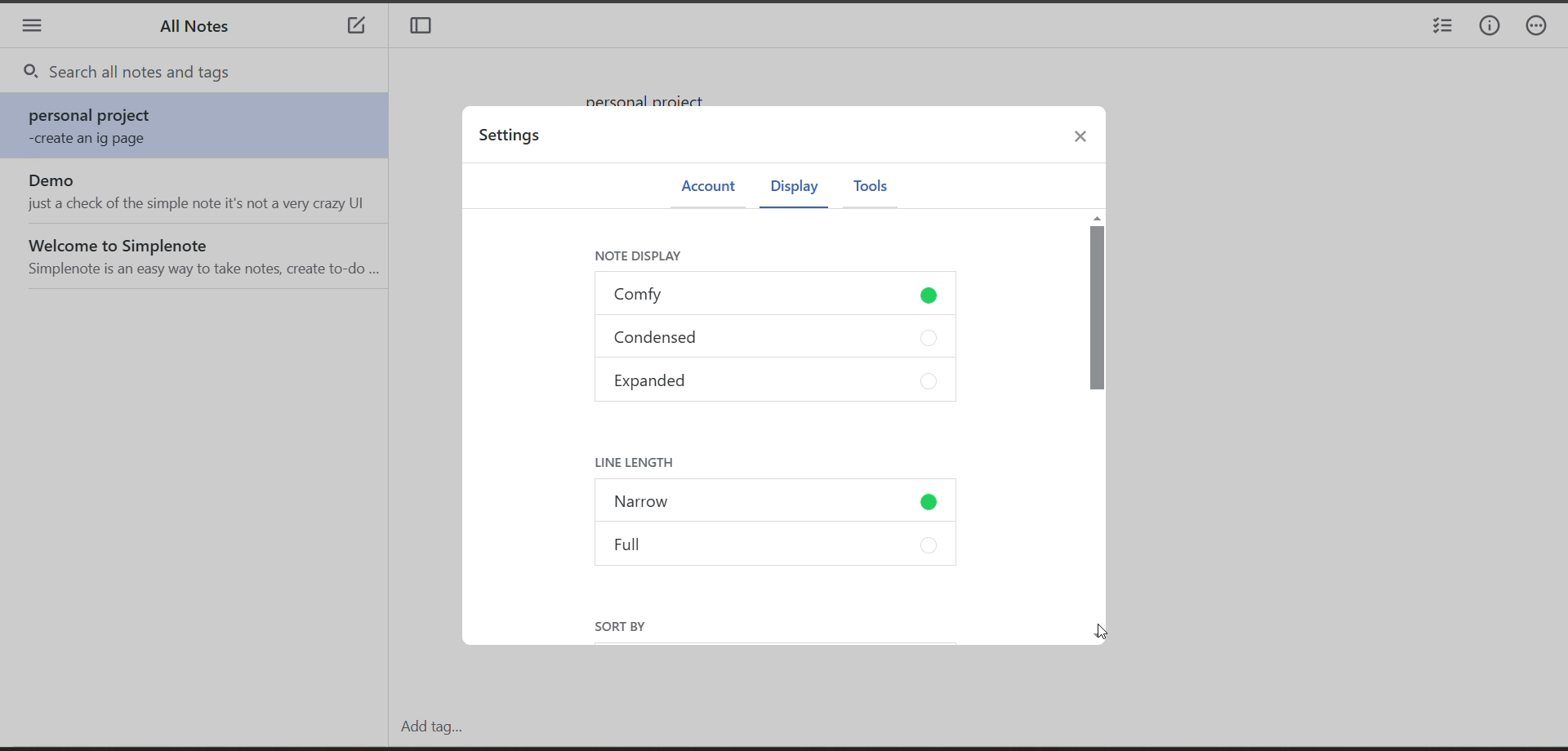 Image resolution: width=1568 pixels, height=751 pixels. Describe the element at coordinates (1100, 630) in the screenshot. I see `cursor` at that location.